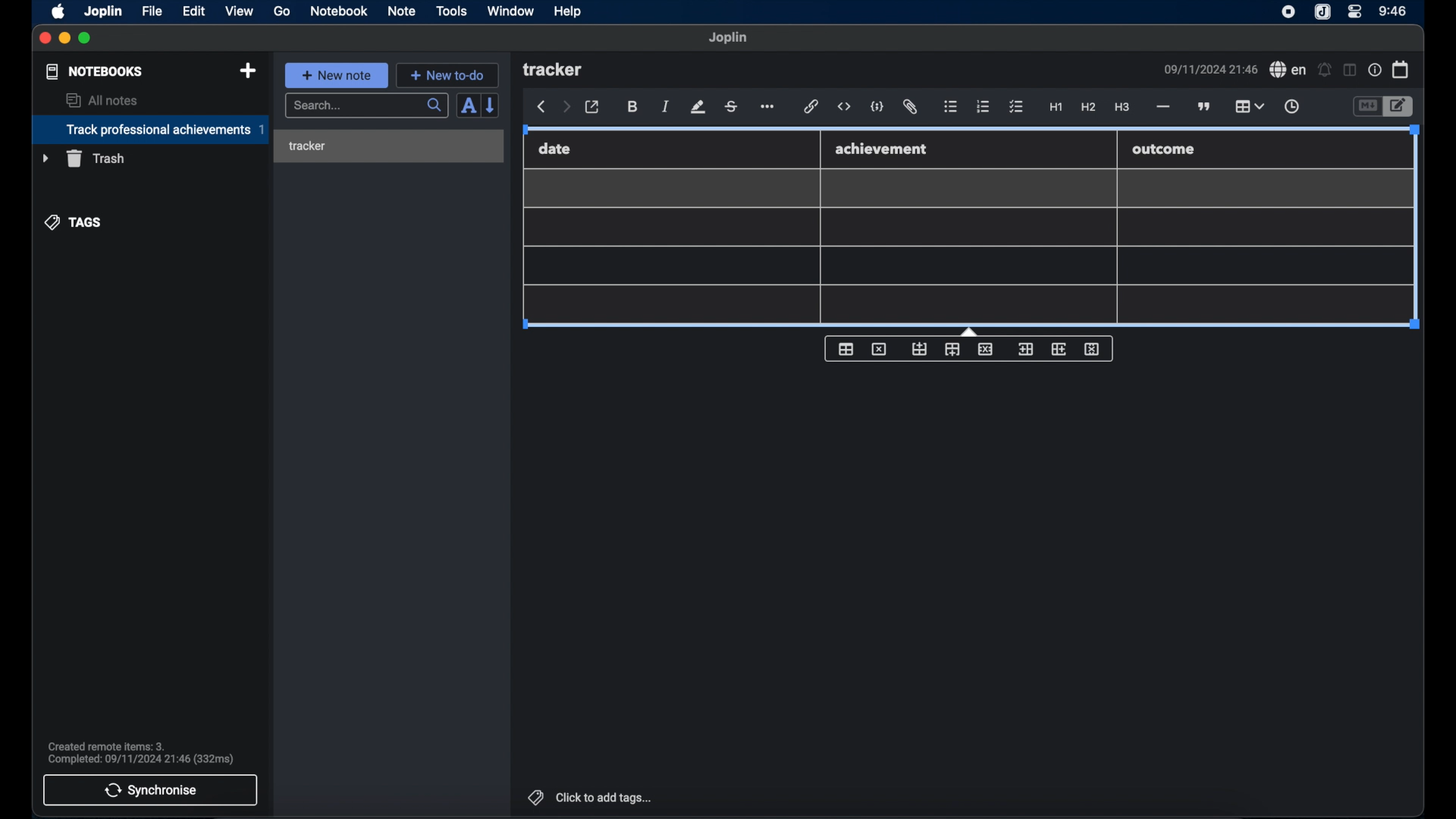 The image size is (1456, 819). Describe the element at coordinates (588, 797) in the screenshot. I see `click to add tags` at that location.